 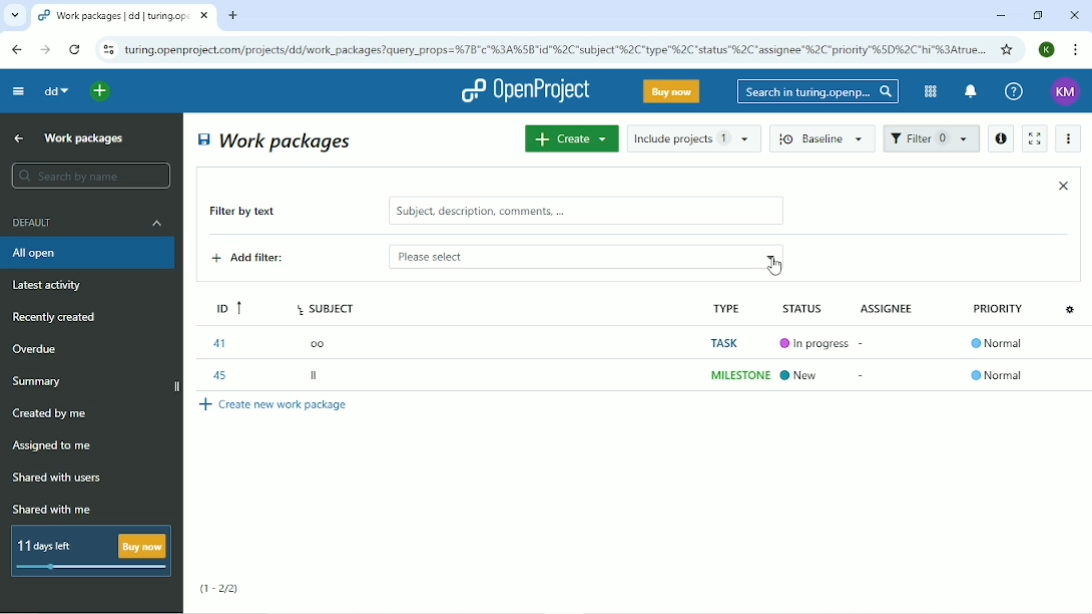 What do you see at coordinates (74, 49) in the screenshot?
I see `Reload this page` at bounding box center [74, 49].